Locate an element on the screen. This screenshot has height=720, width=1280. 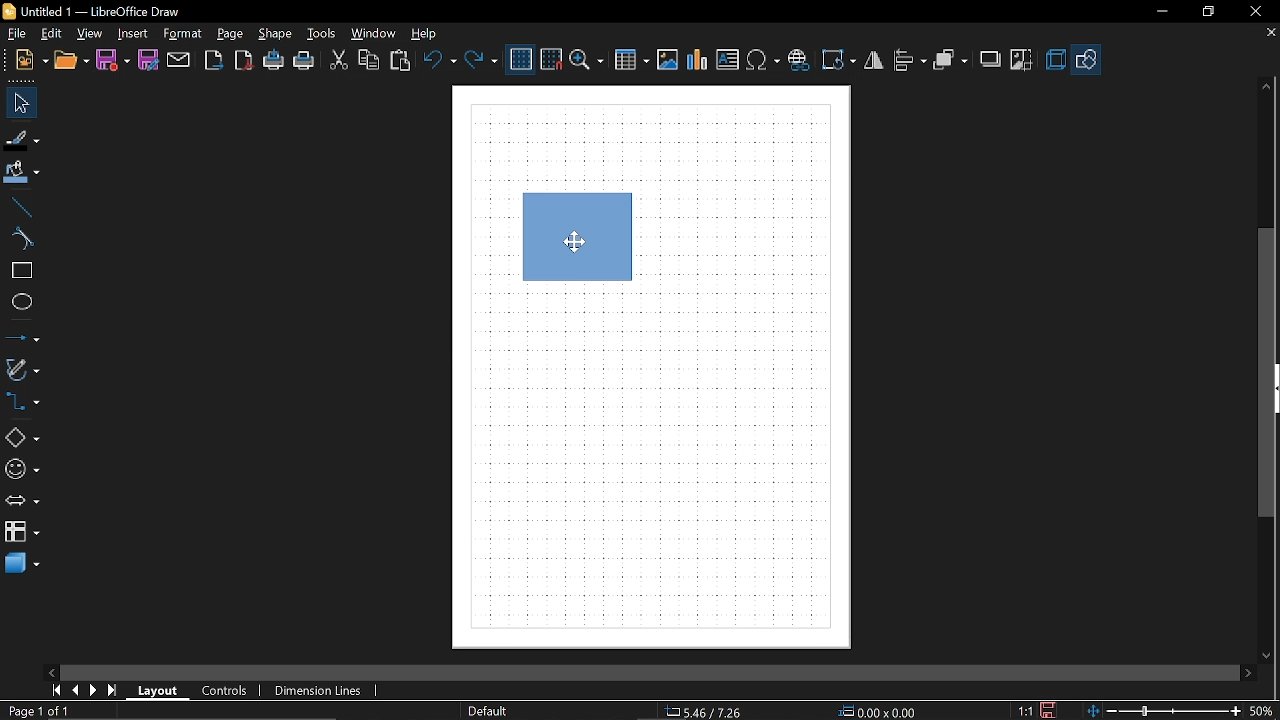
Insert symbol is located at coordinates (798, 60).